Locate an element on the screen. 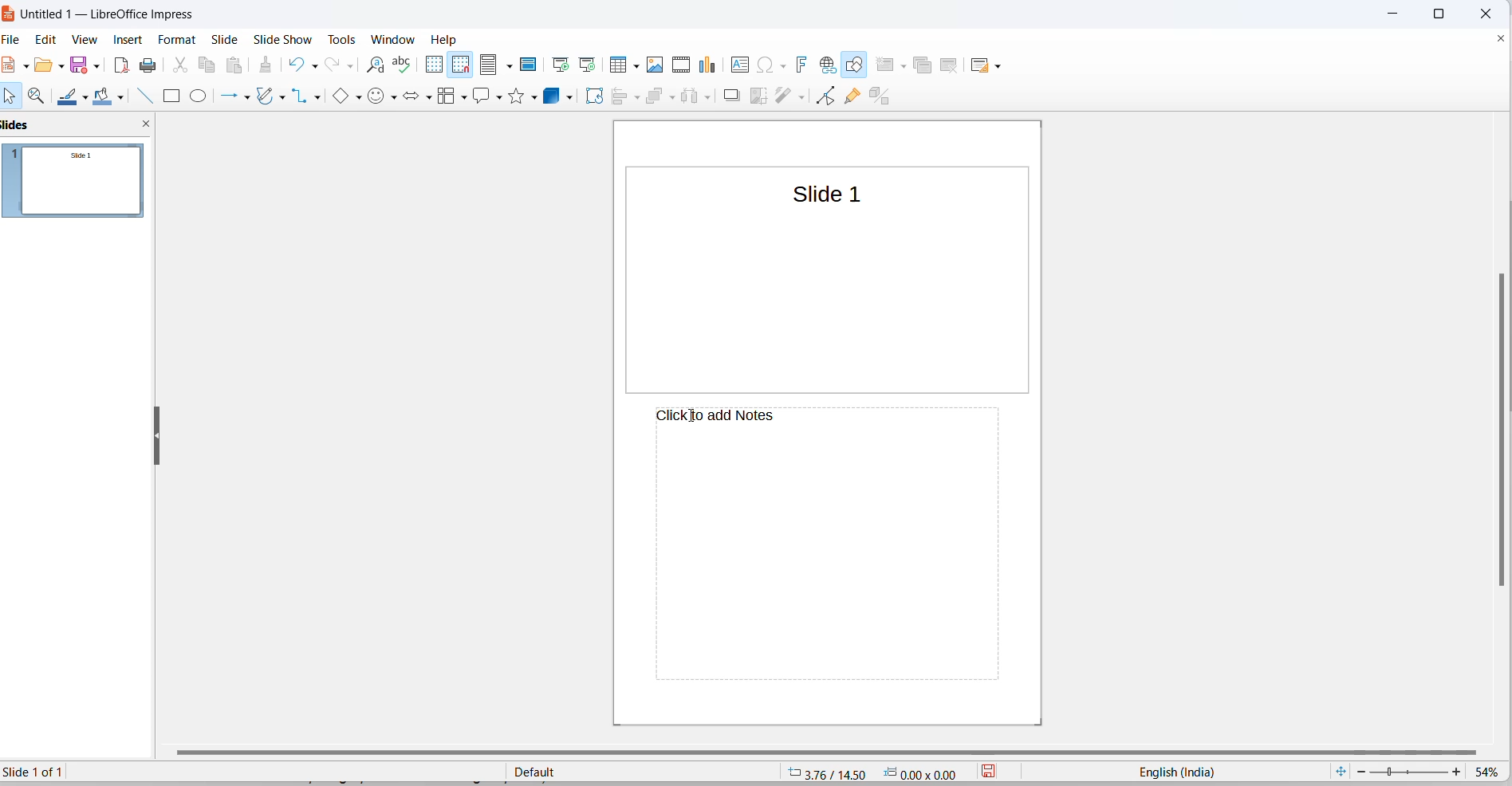 This screenshot has width=1512, height=786. undo is located at coordinates (294, 64).